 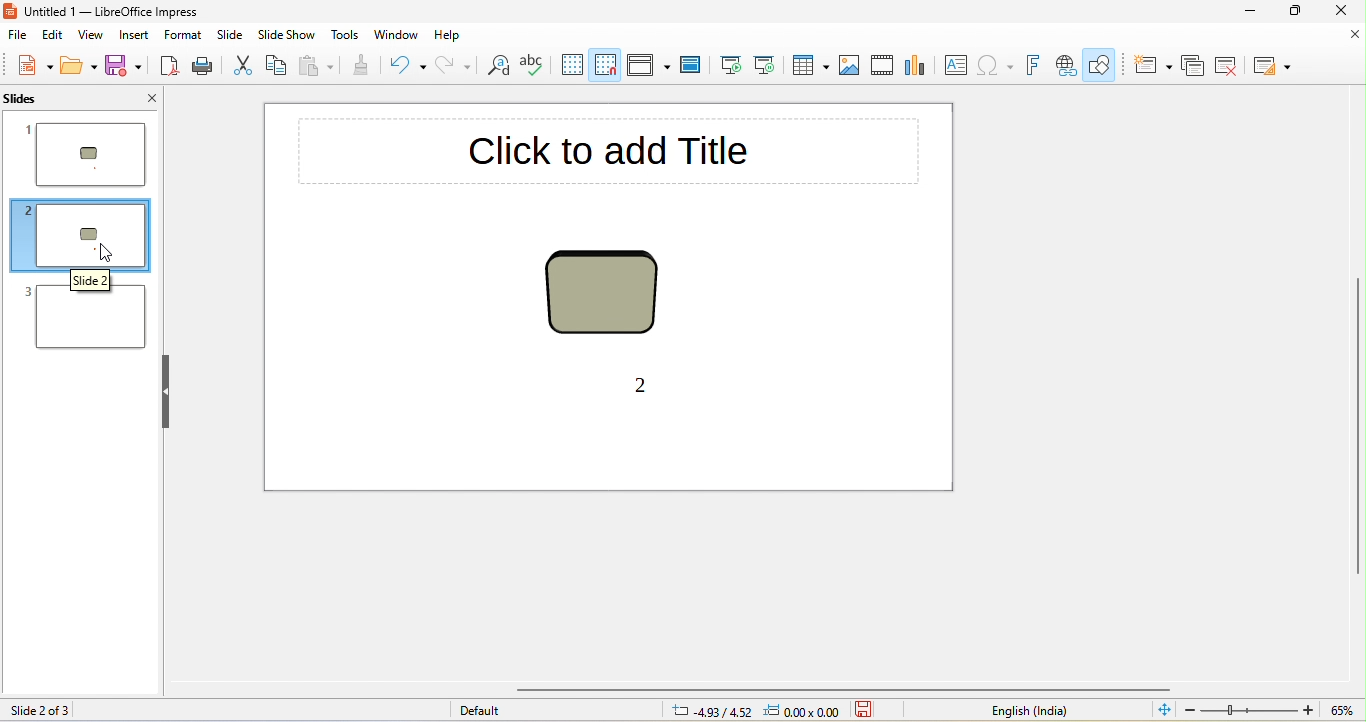 What do you see at coordinates (916, 64) in the screenshot?
I see `chat` at bounding box center [916, 64].